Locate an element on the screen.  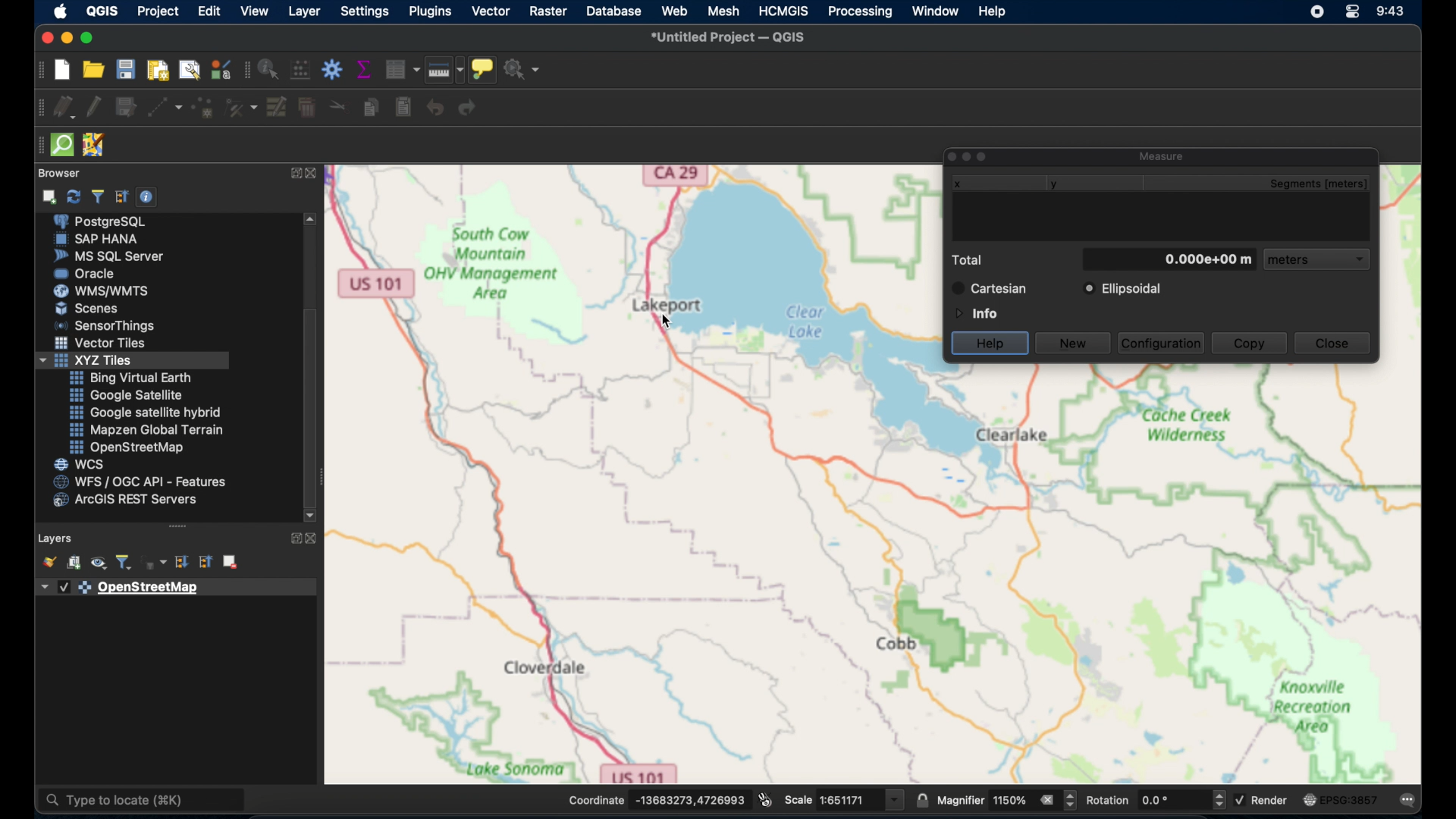
scroll down arrow is located at coordinates (310, 515).